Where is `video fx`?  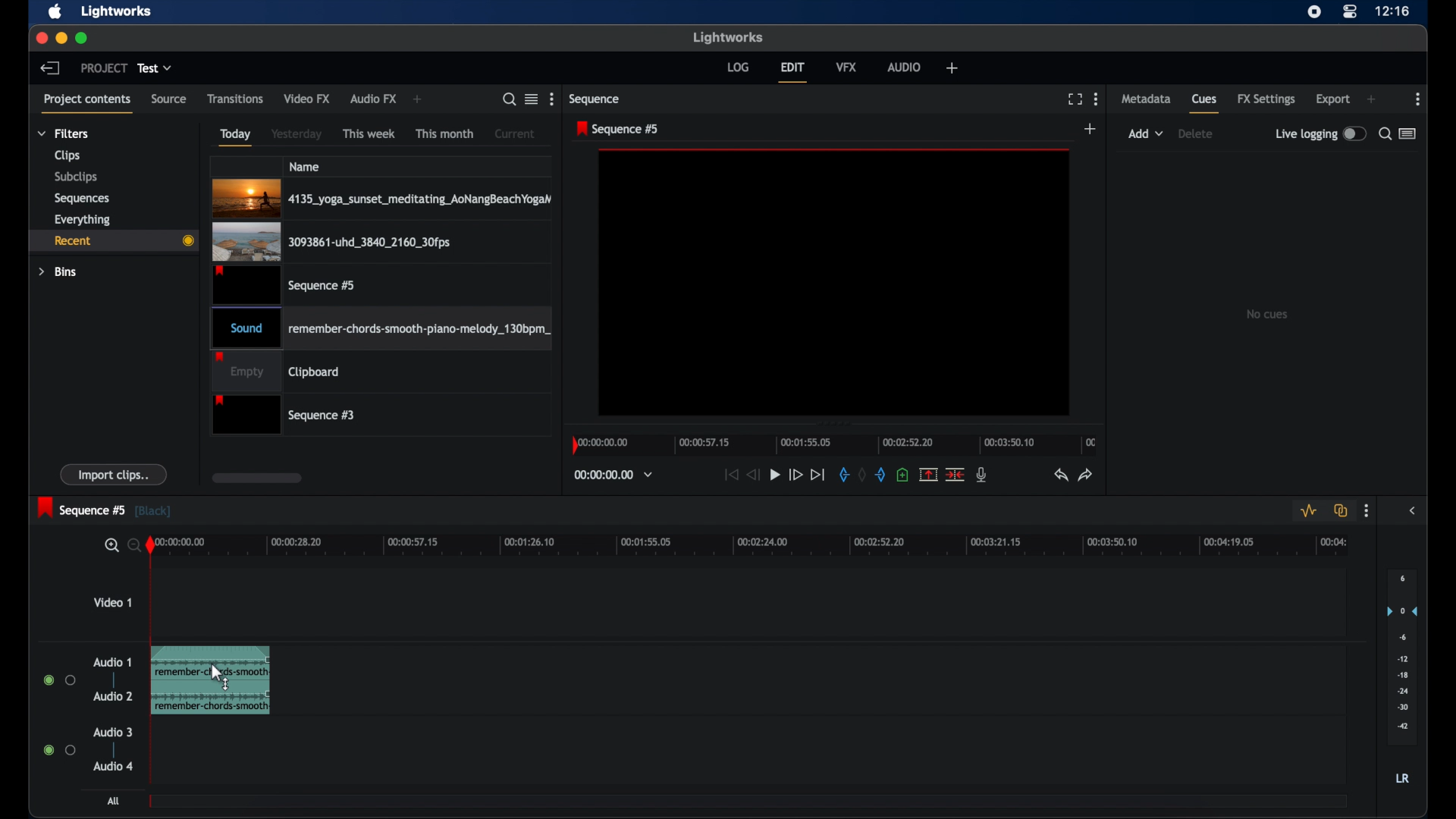
video fx is located at coordinates (306, 99).